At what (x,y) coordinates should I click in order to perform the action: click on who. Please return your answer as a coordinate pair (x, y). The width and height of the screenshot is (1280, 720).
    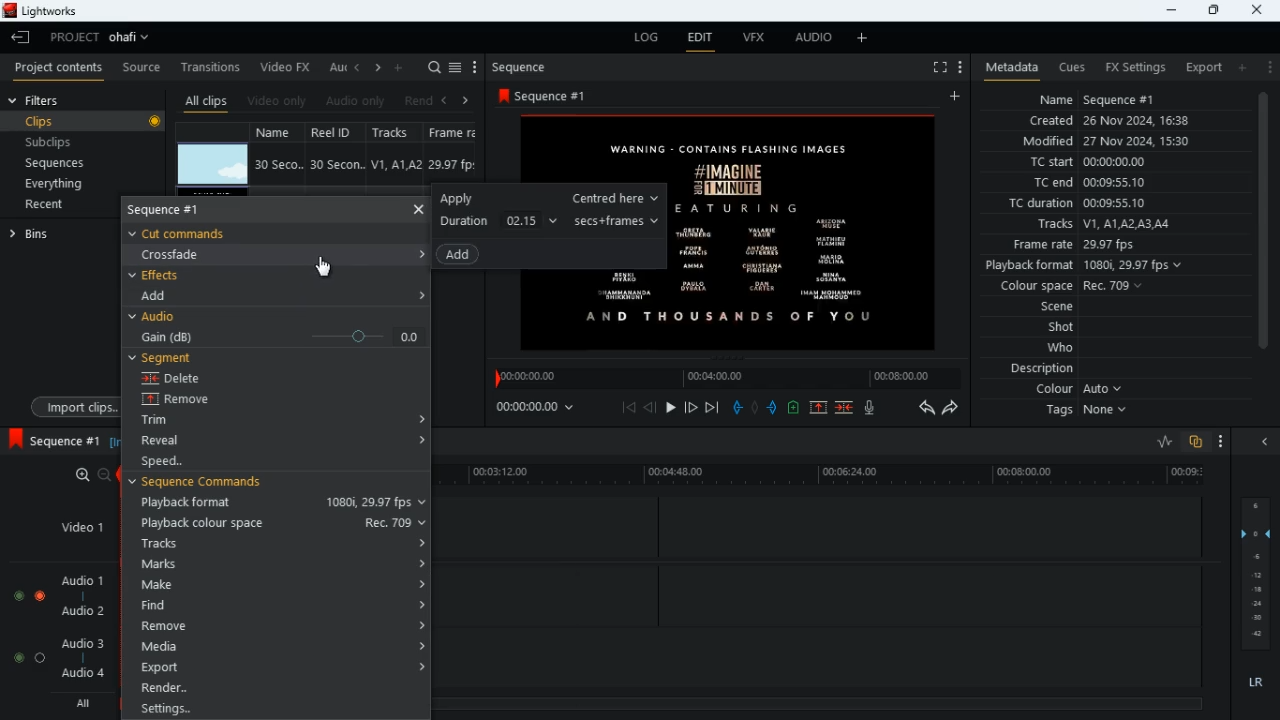
    Looking at the image, I should click on (1065, 348).